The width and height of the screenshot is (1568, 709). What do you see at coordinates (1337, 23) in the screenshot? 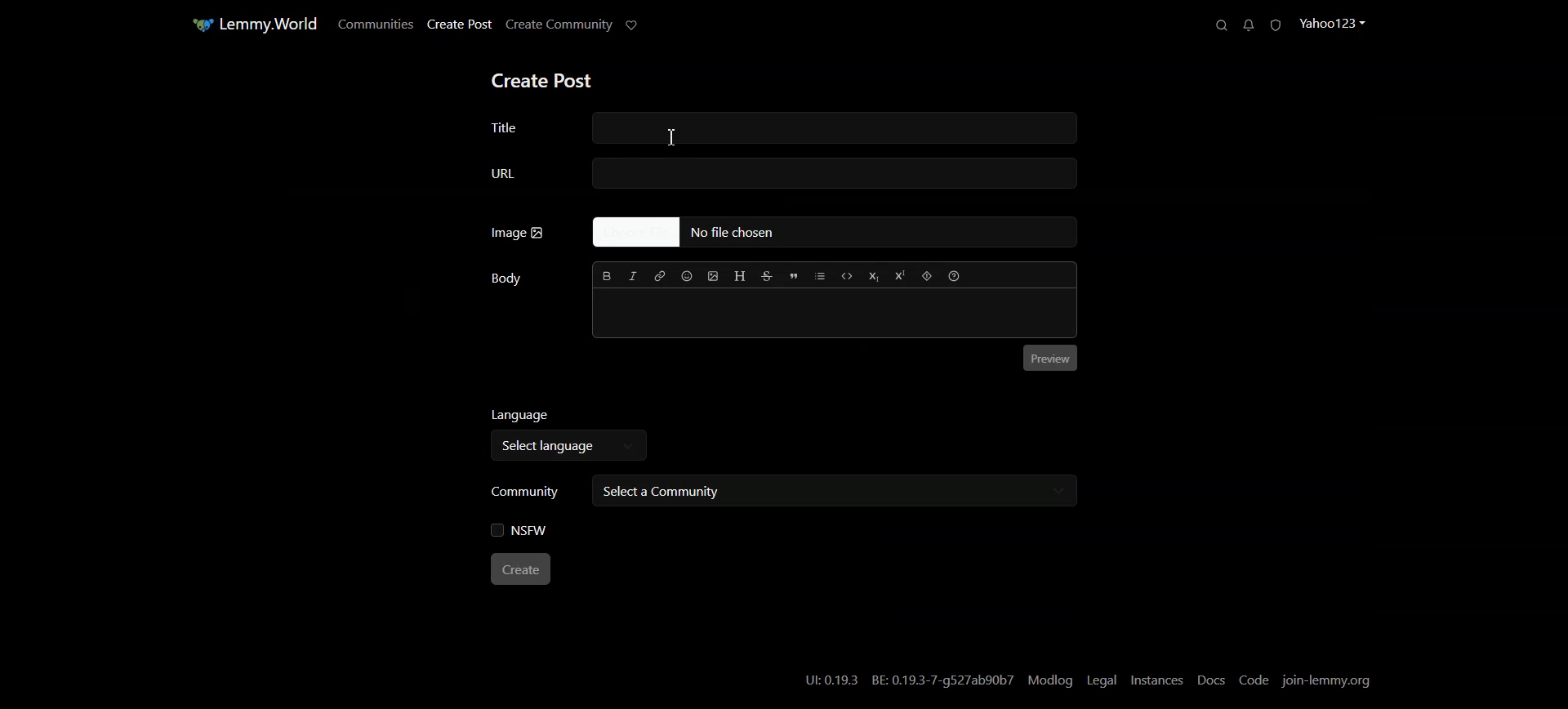
I see `Profile` at bounding box center [1337, 23].